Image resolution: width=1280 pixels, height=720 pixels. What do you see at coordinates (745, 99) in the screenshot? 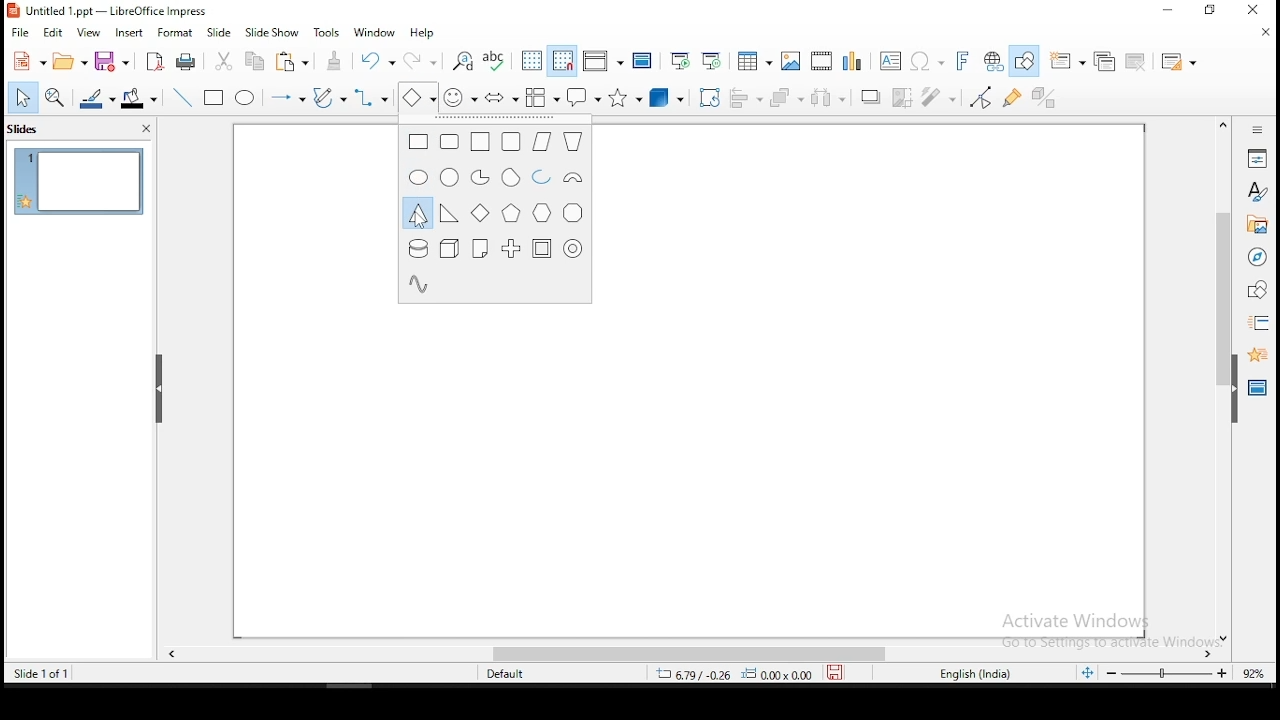
I see `align objects` at bounding box center [745, 99].